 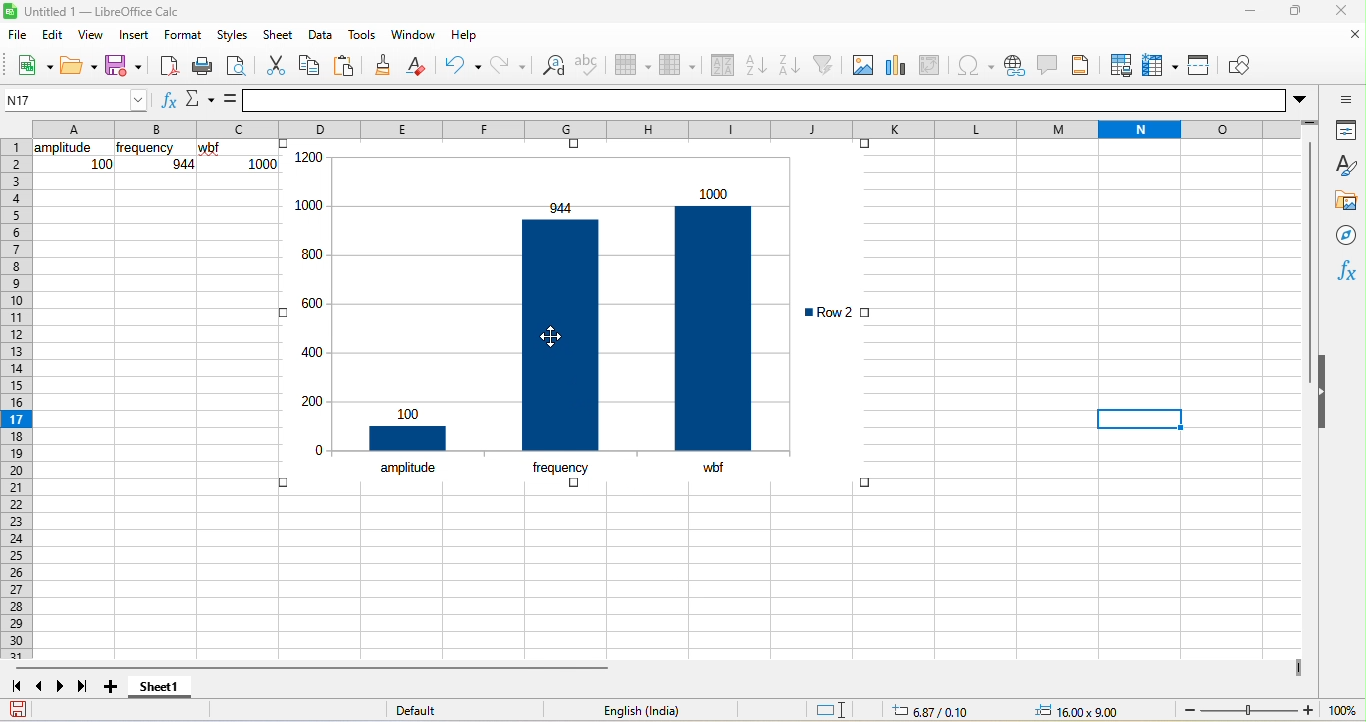 I want to click on insert, so click(x=139, y=34).